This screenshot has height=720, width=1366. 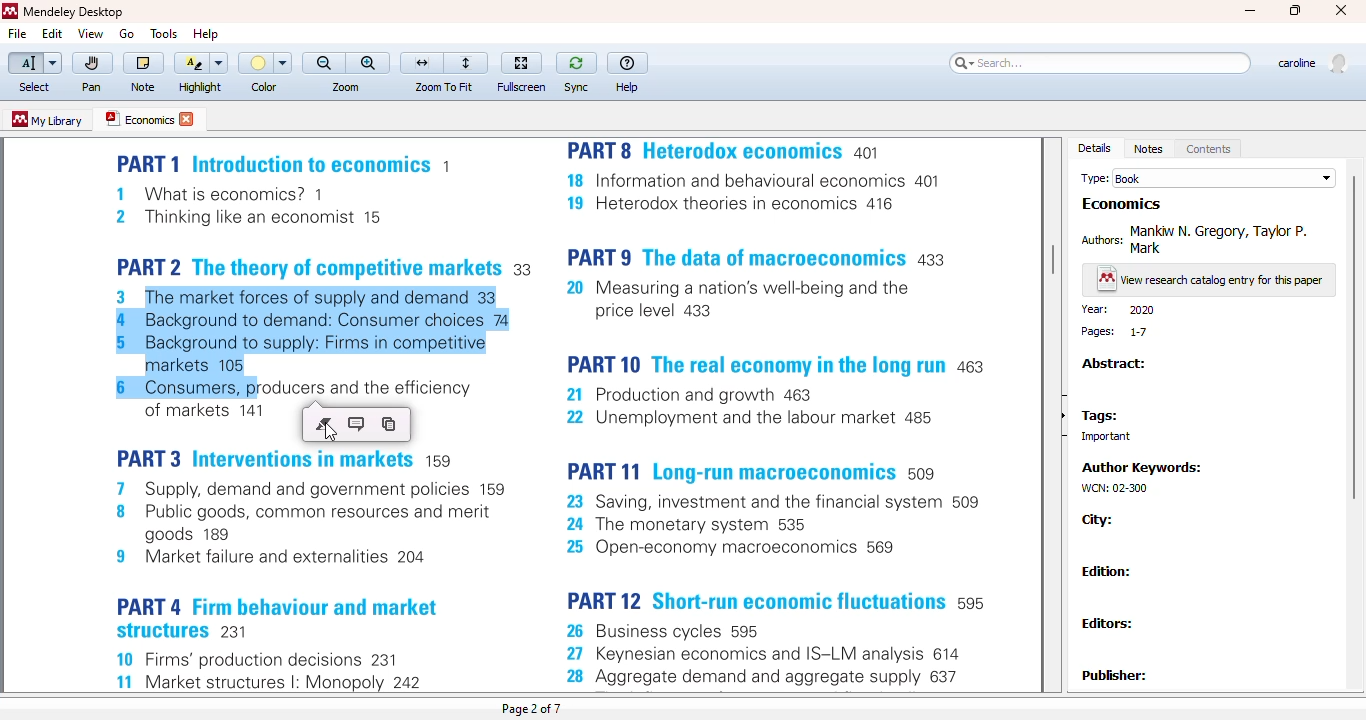 What do you see at coordinates (1110, 622) in the screenshot?
I see `editors` at bounding box center [1110, 622].